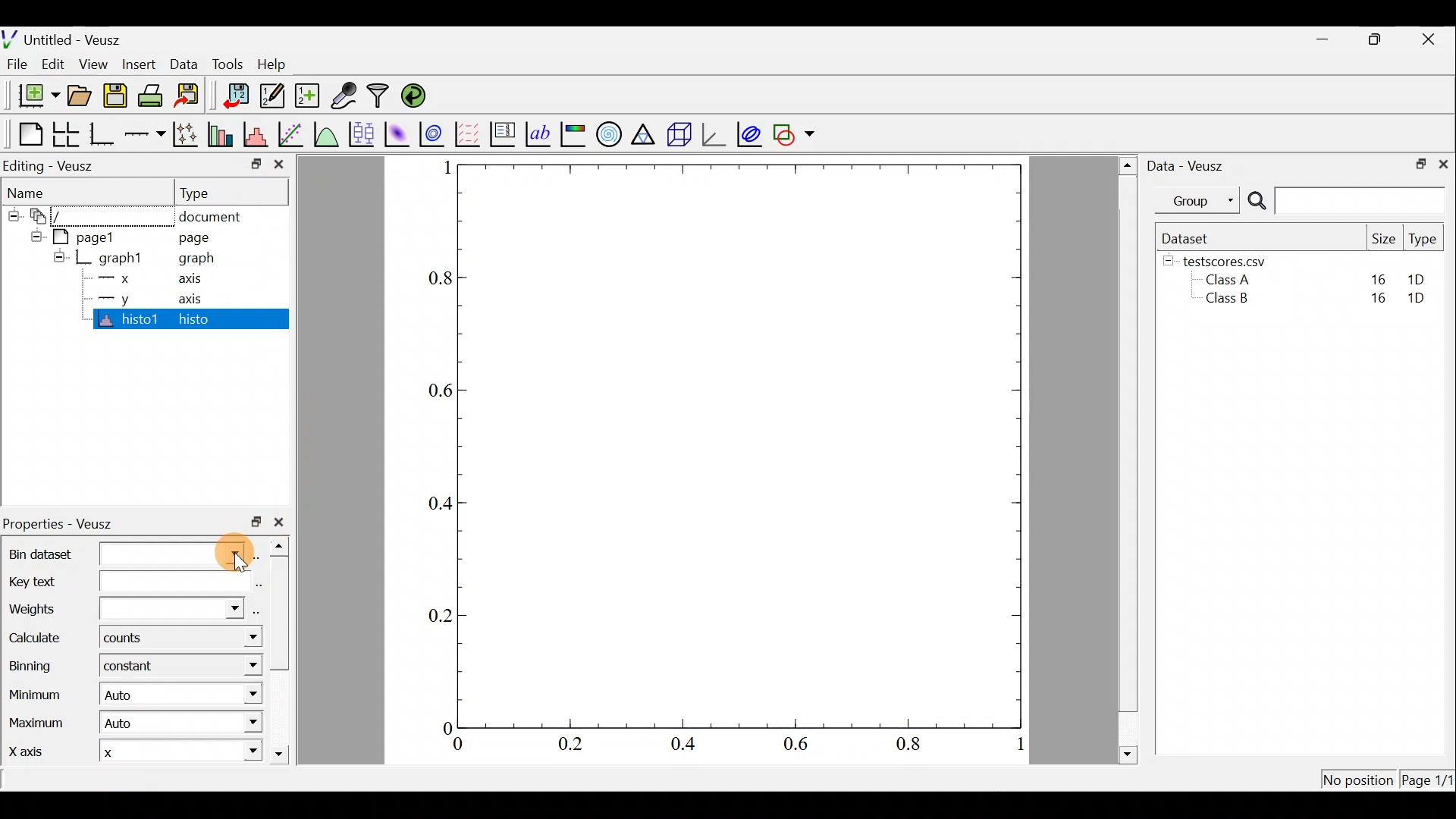 The height and width of the screenshot is (819, 1456). Describe the element at coordinates (436, 613) in the screenshot. I see `0.2` at that location.